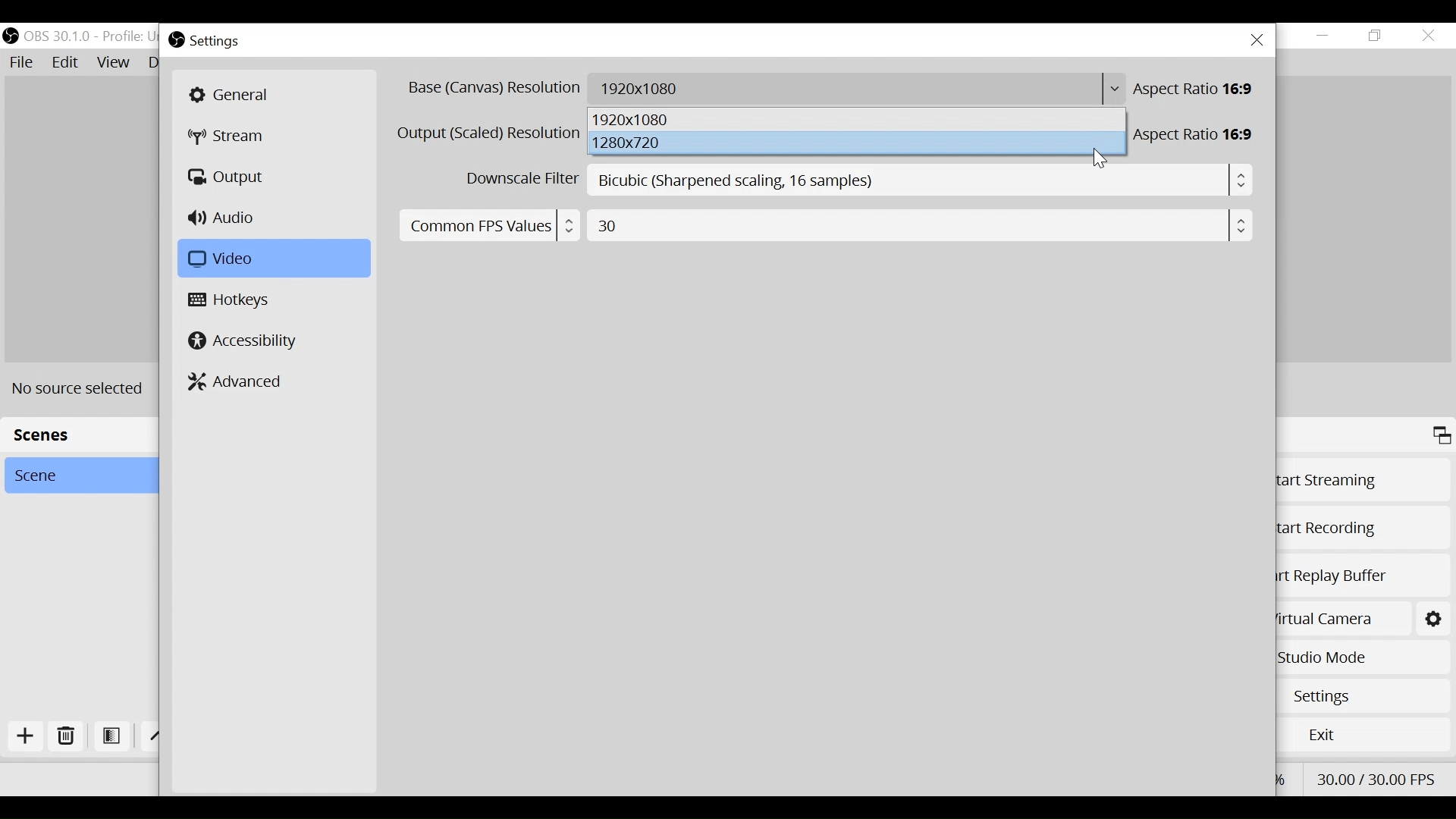 The image size is (1456, 819). What do you see at coordinates (243, 340) in the screenshot?
I see `Accessibility` at bounding box center [243, 340].